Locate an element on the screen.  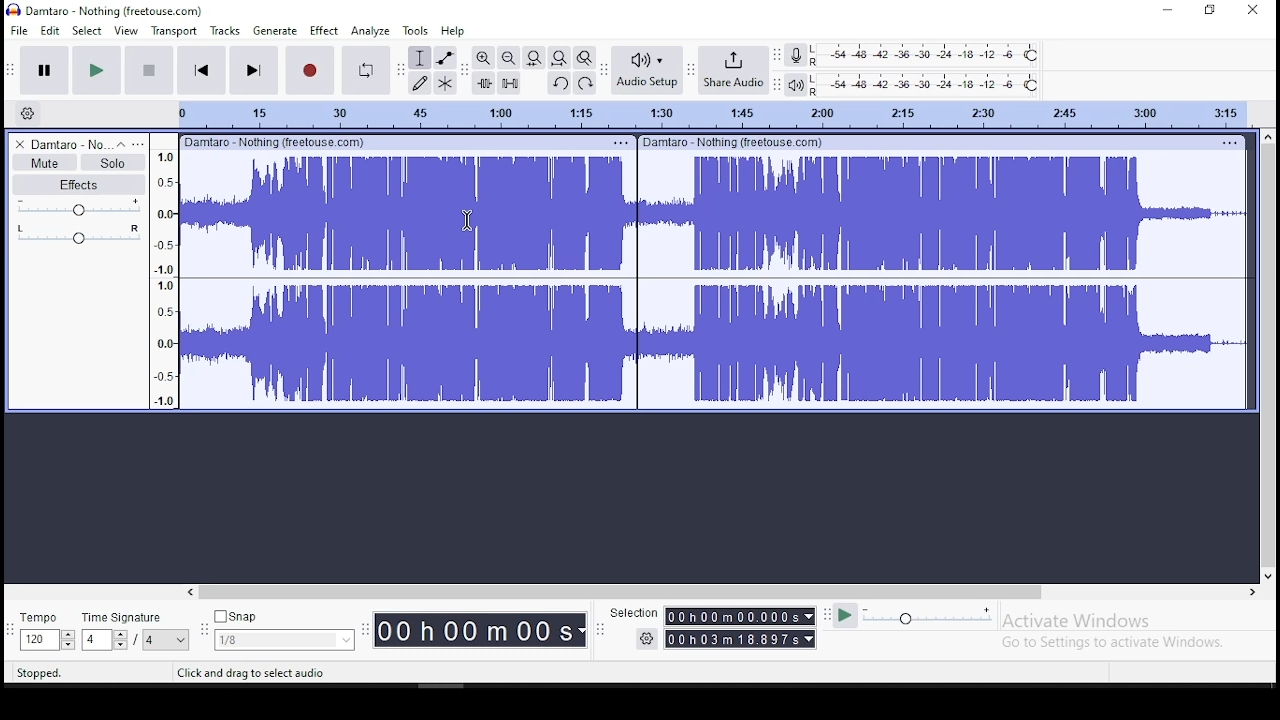
timeline settings is located at coordinates (26, 113).